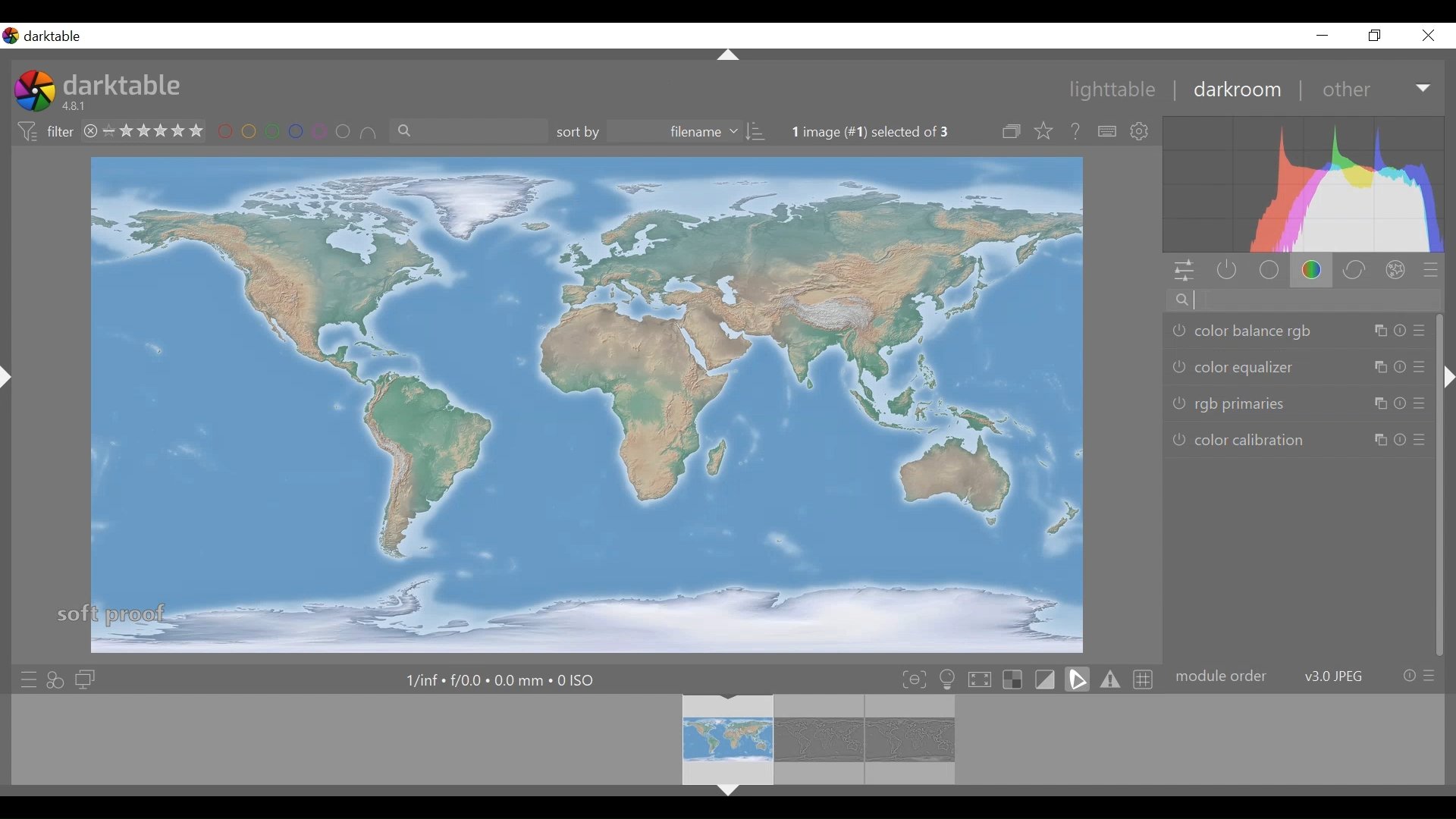 The width and height of the screenshot is (1456, 819). Describe the element at coordinates (914, 679) in the screenshot. I see `toggle focus-peaking mode` at that location.